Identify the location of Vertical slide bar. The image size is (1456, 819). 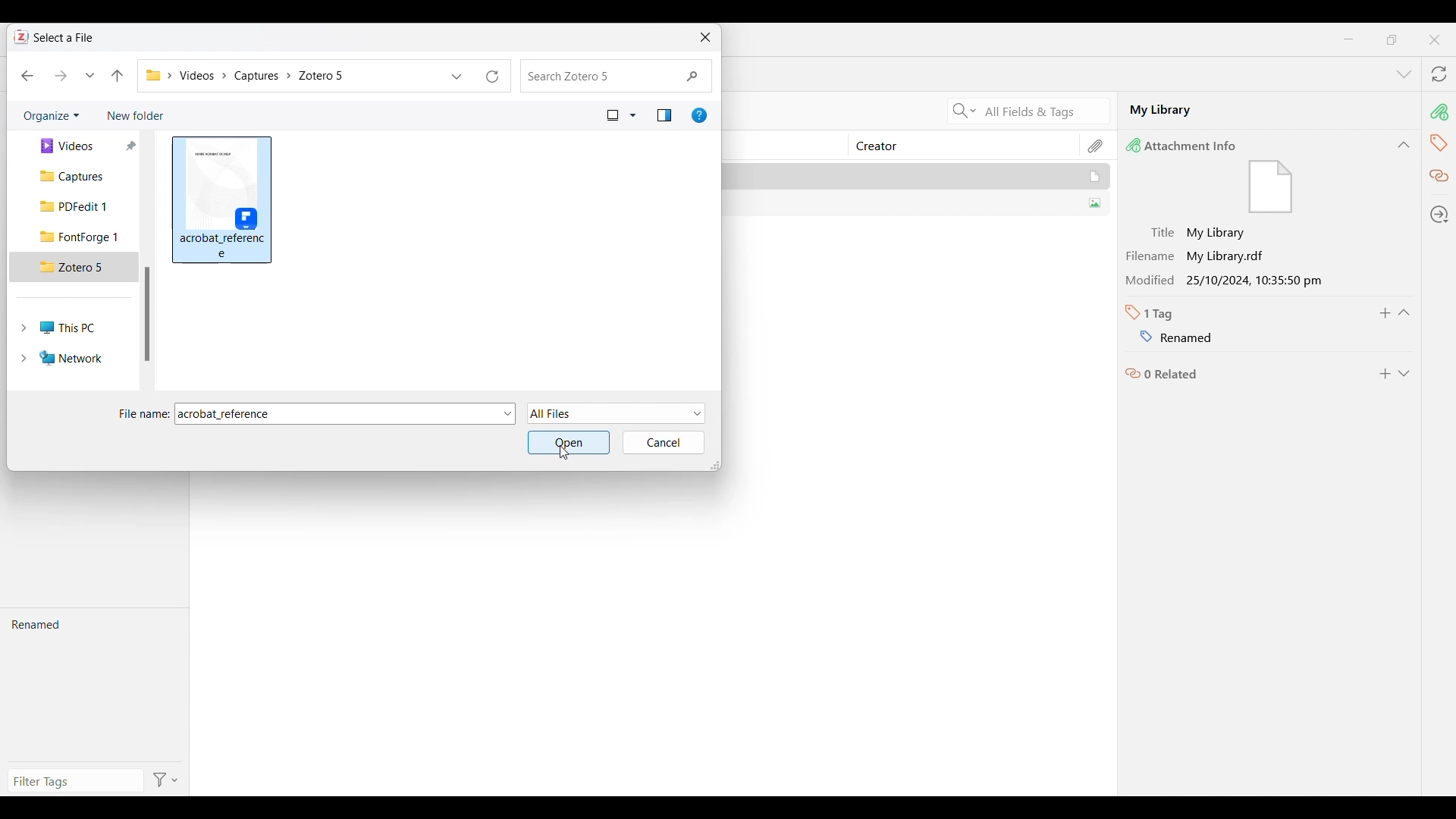
(147, 314).